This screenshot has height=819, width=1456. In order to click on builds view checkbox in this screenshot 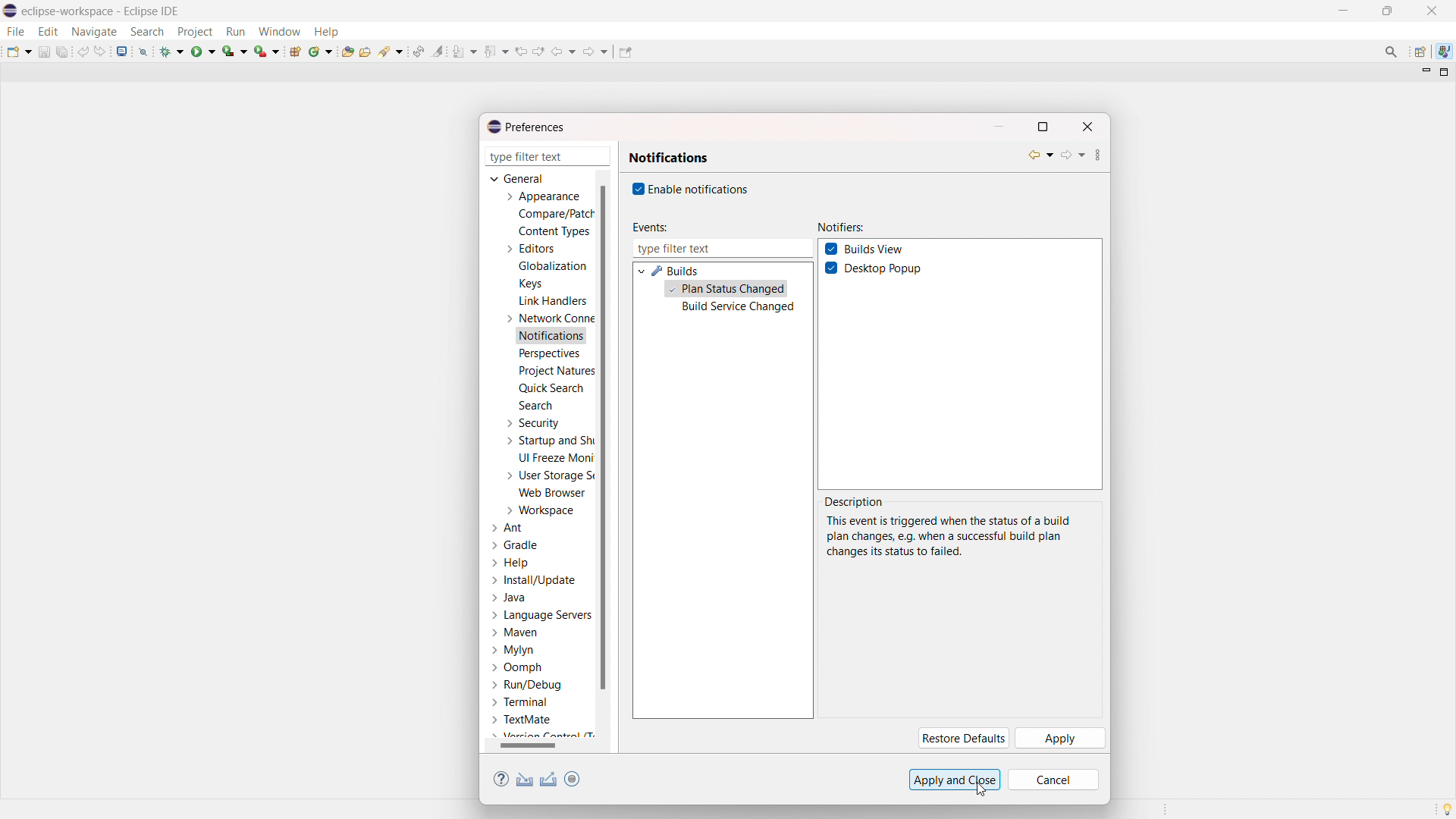, I will do `click(876, 249)`.